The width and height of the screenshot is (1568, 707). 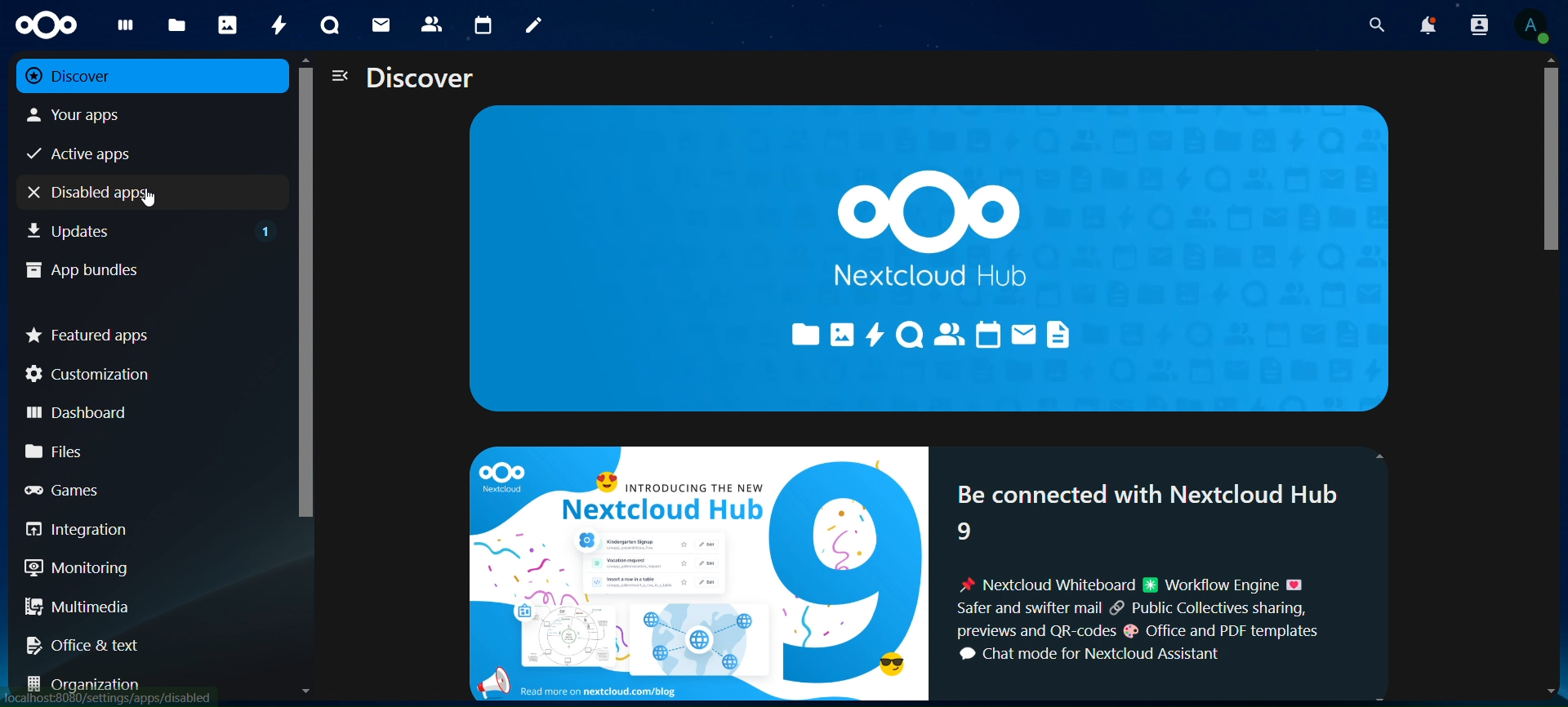 What do you see at coordinates (145, 610) in the screenshot?
I see `multimedia` at bounding box center [145, 610].